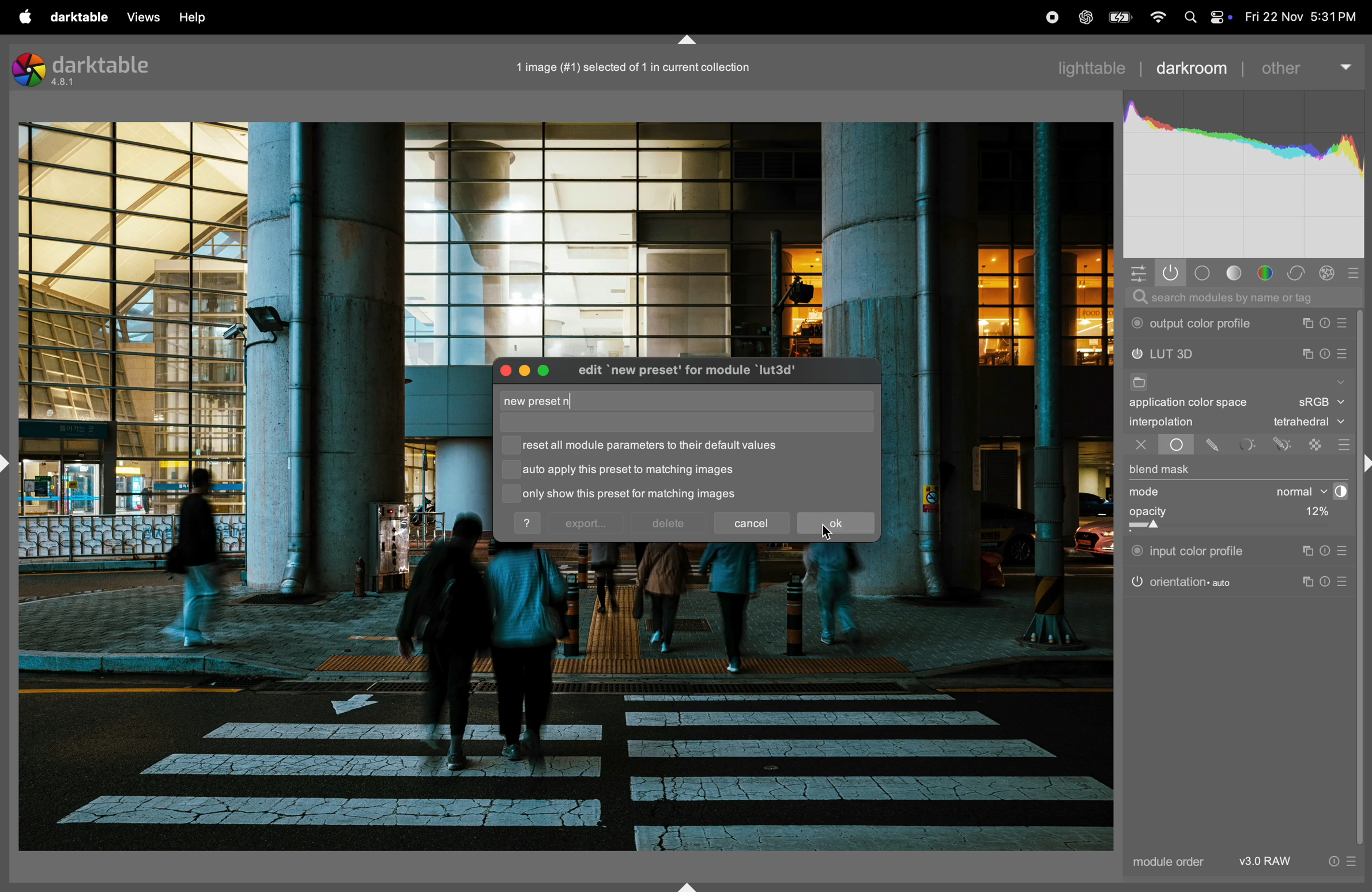 The width and height of the screenshot is (1372, 892). Describe the element at coordinates (1309, 423) in the screenshot. I see `tetrahedral` at that location.